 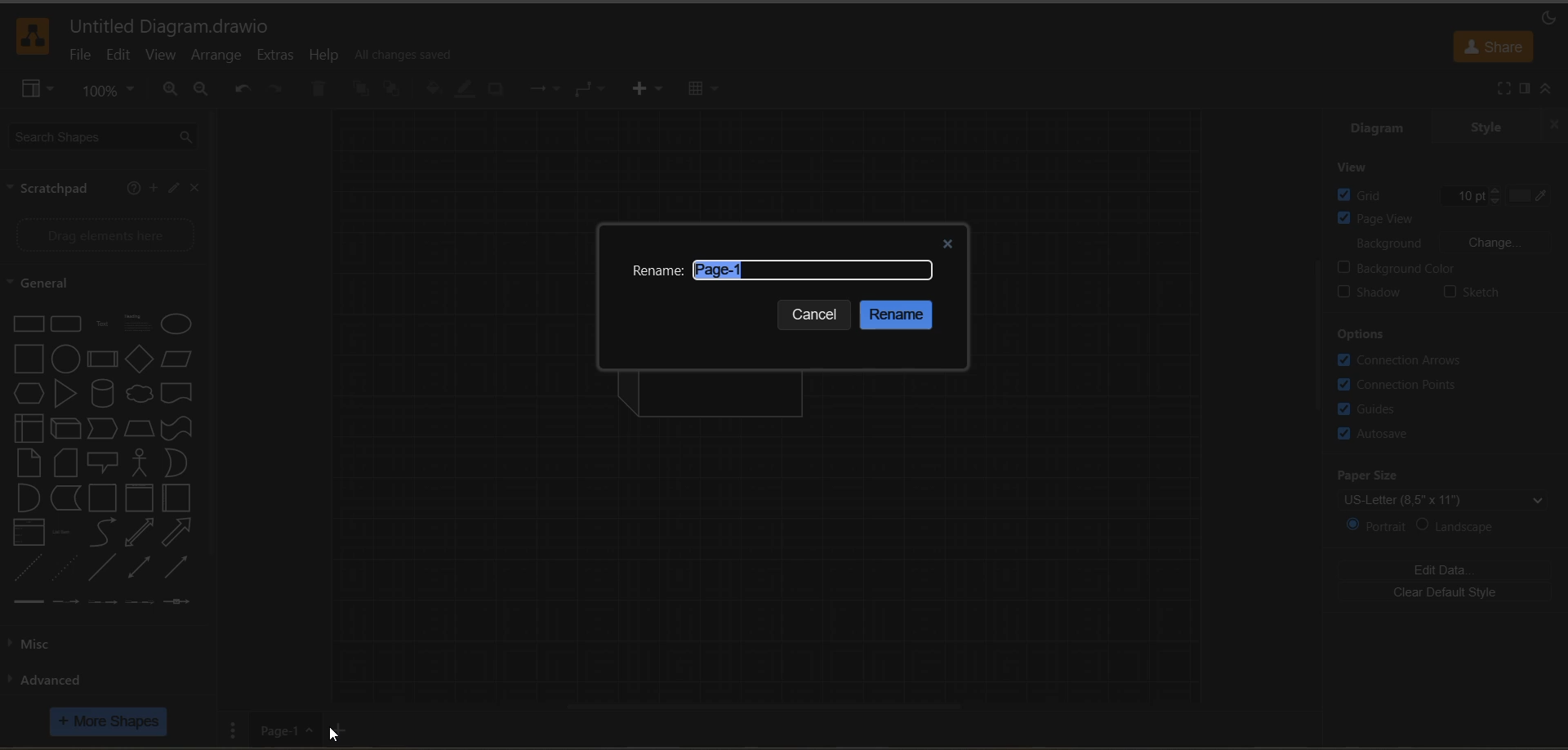 I want to click on portrait, so click(x=1376, y=525).